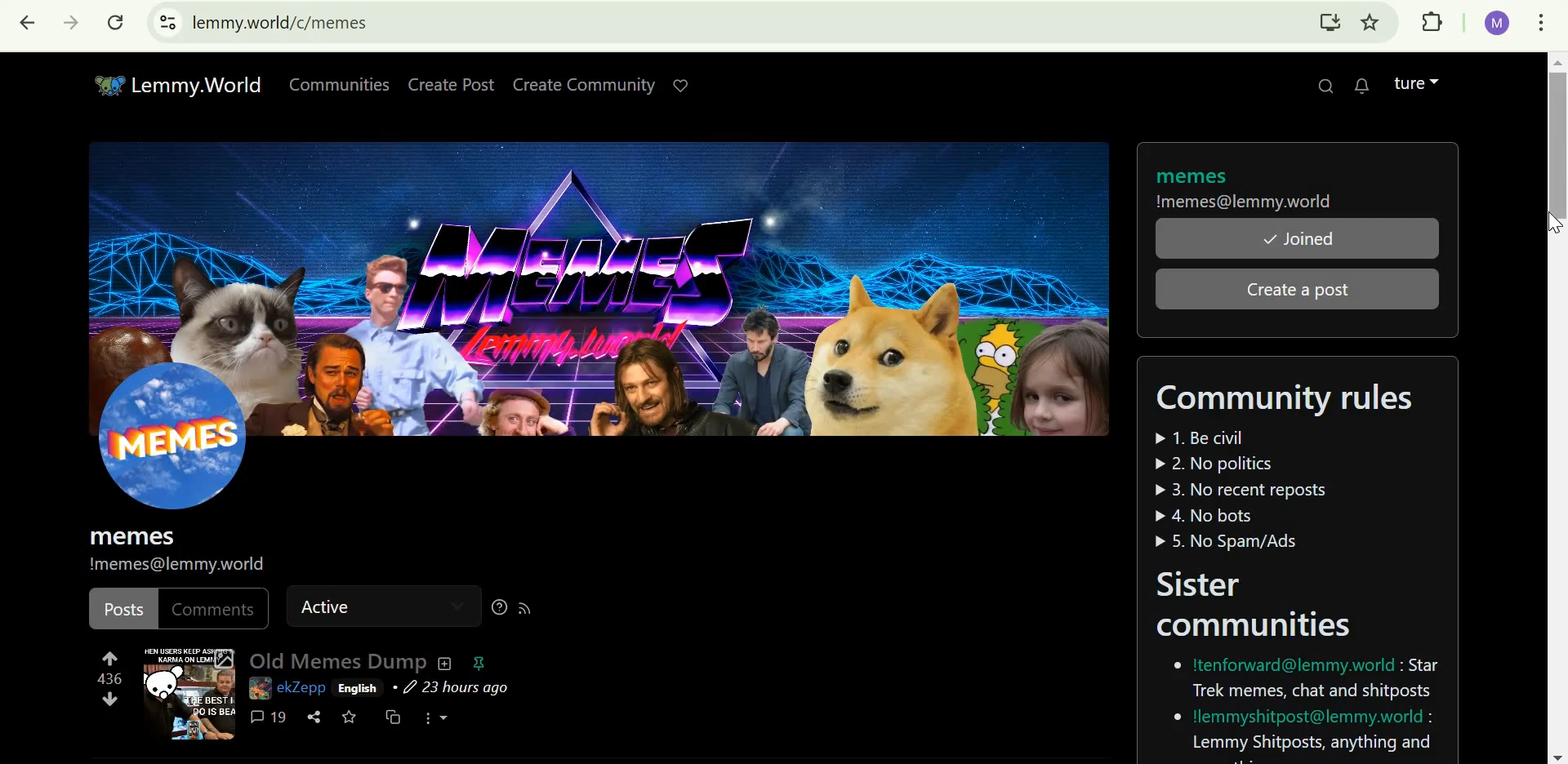  Describe the element at coordinates (351, 718) in the screenshot. I see `save` at that location.